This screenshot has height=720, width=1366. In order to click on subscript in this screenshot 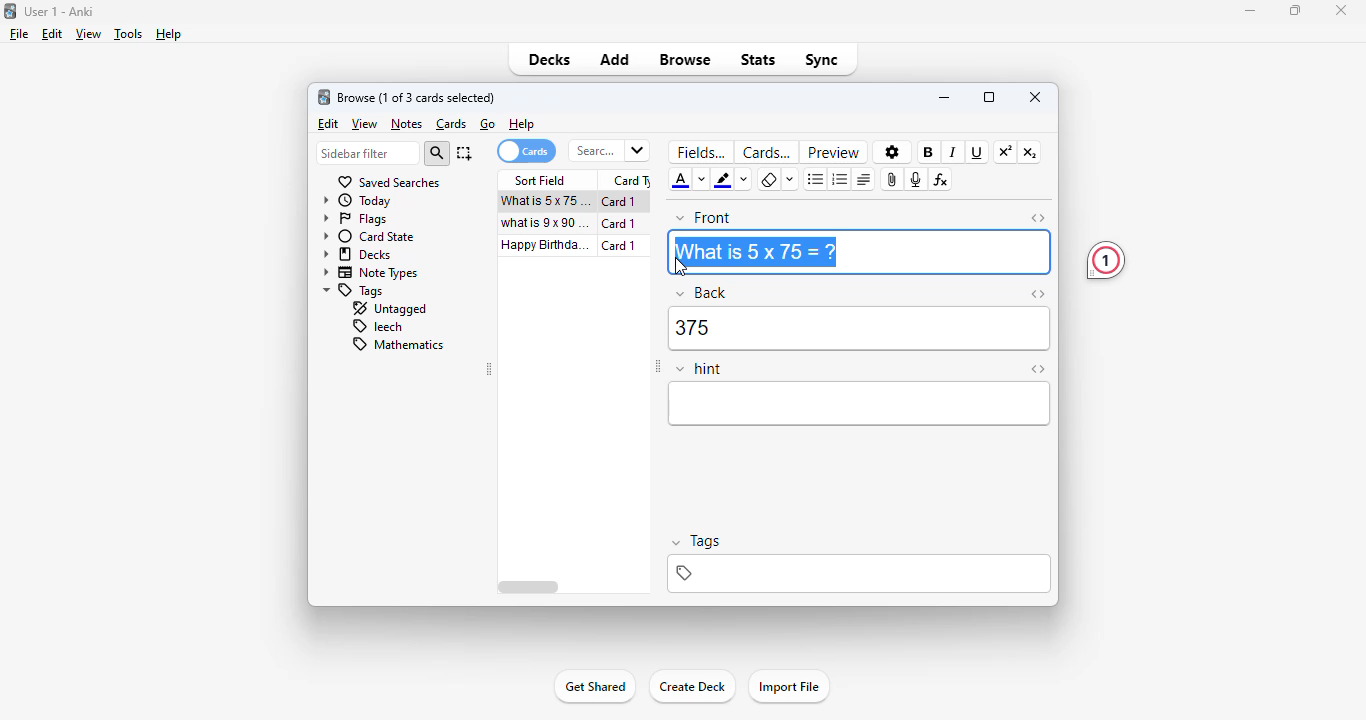, I will do `click(1030, 153)`.